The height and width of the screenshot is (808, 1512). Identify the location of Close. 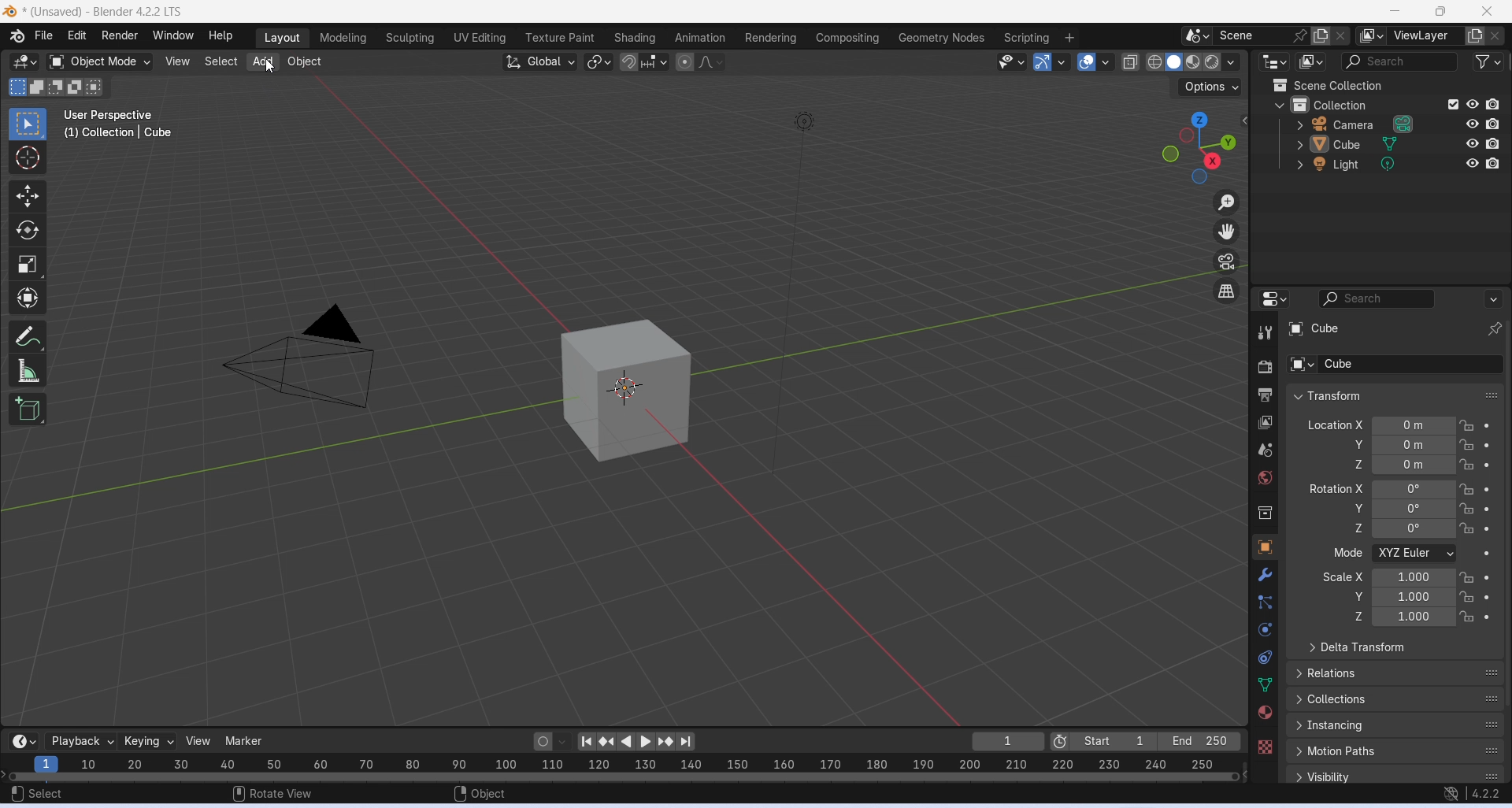
(1488, 12).